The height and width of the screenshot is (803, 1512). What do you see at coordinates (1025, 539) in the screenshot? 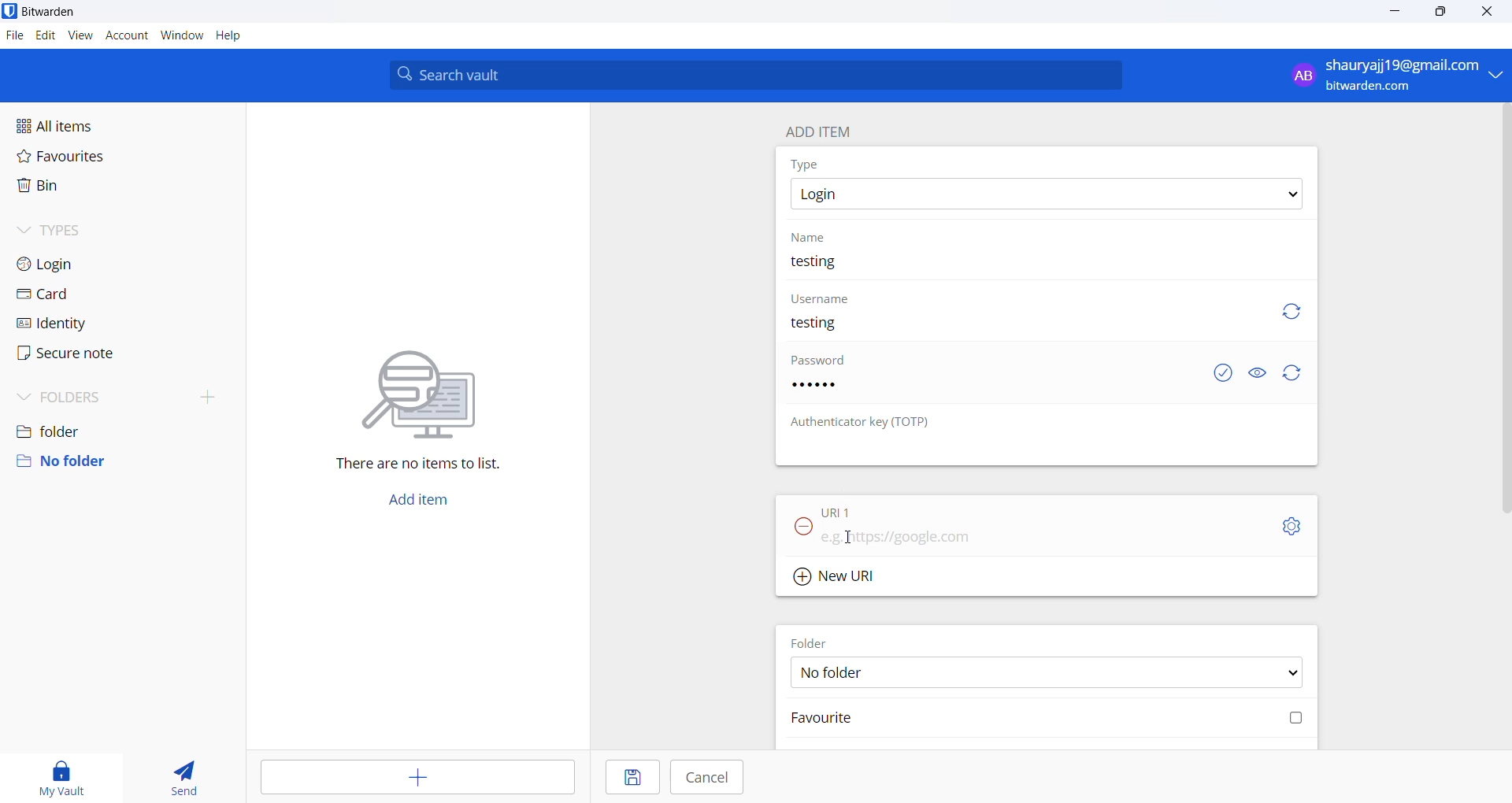
I see `URL input` at bounding box center [1025, 539].